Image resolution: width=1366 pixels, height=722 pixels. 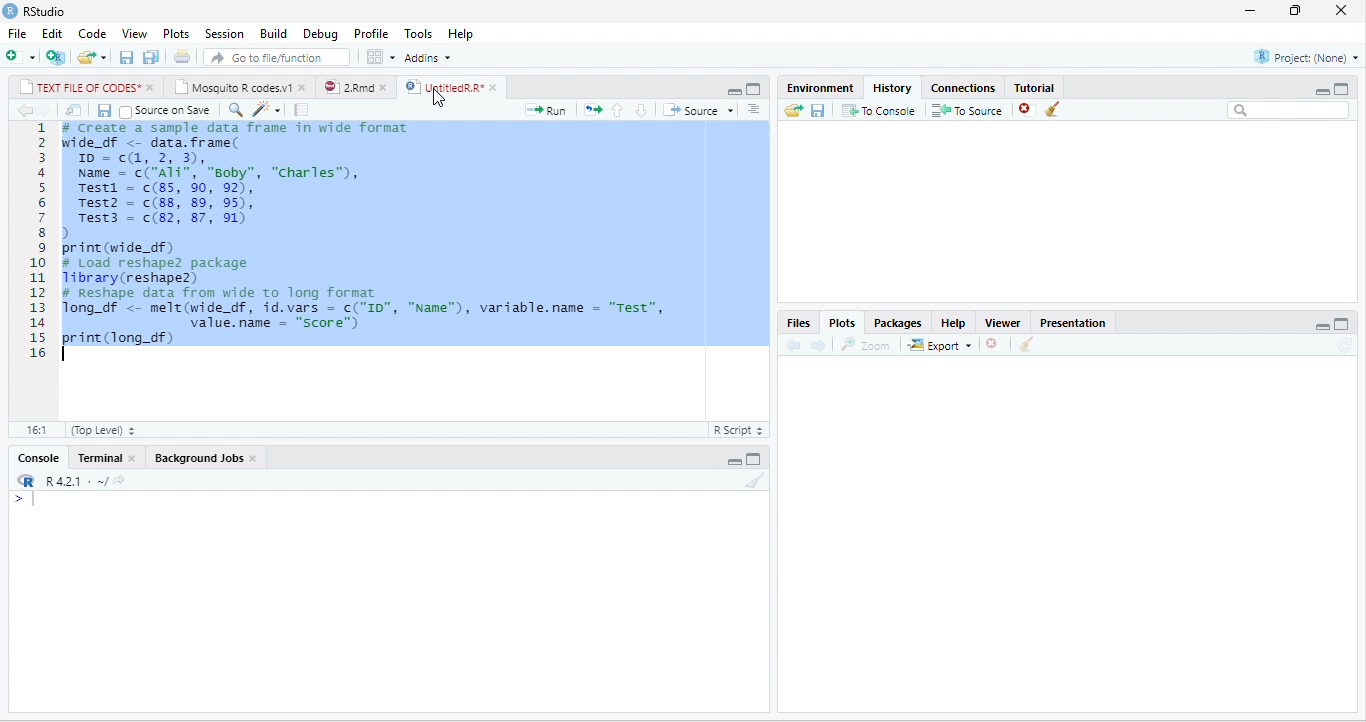 What do you see at coordinates (843, 323) in the screenshot?
I see `Plots` at bounding box center [843, 323].